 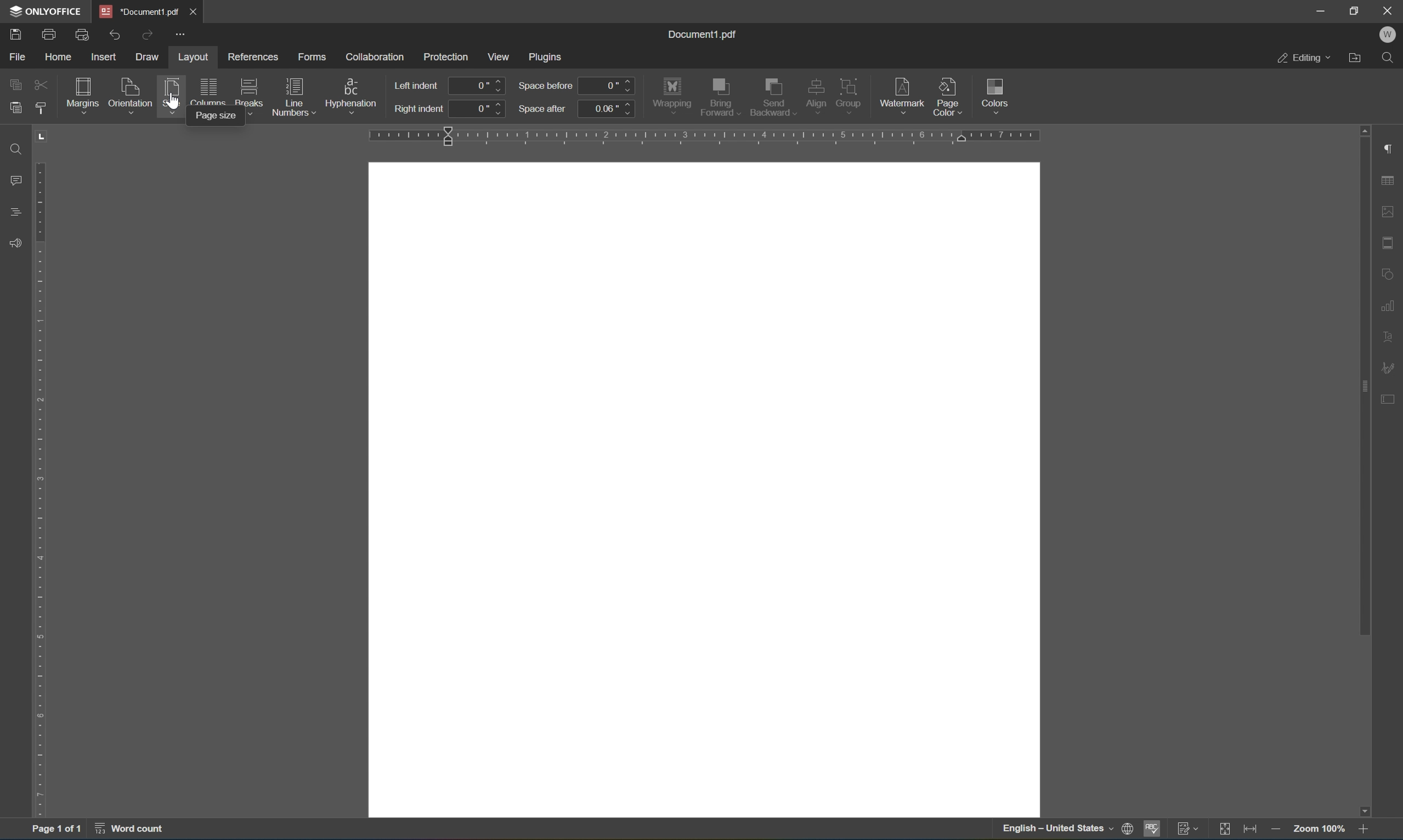 What do you see at coordinates (249, 91) in the screenshot?
I see `breaks` at bounding box center [249, 91].